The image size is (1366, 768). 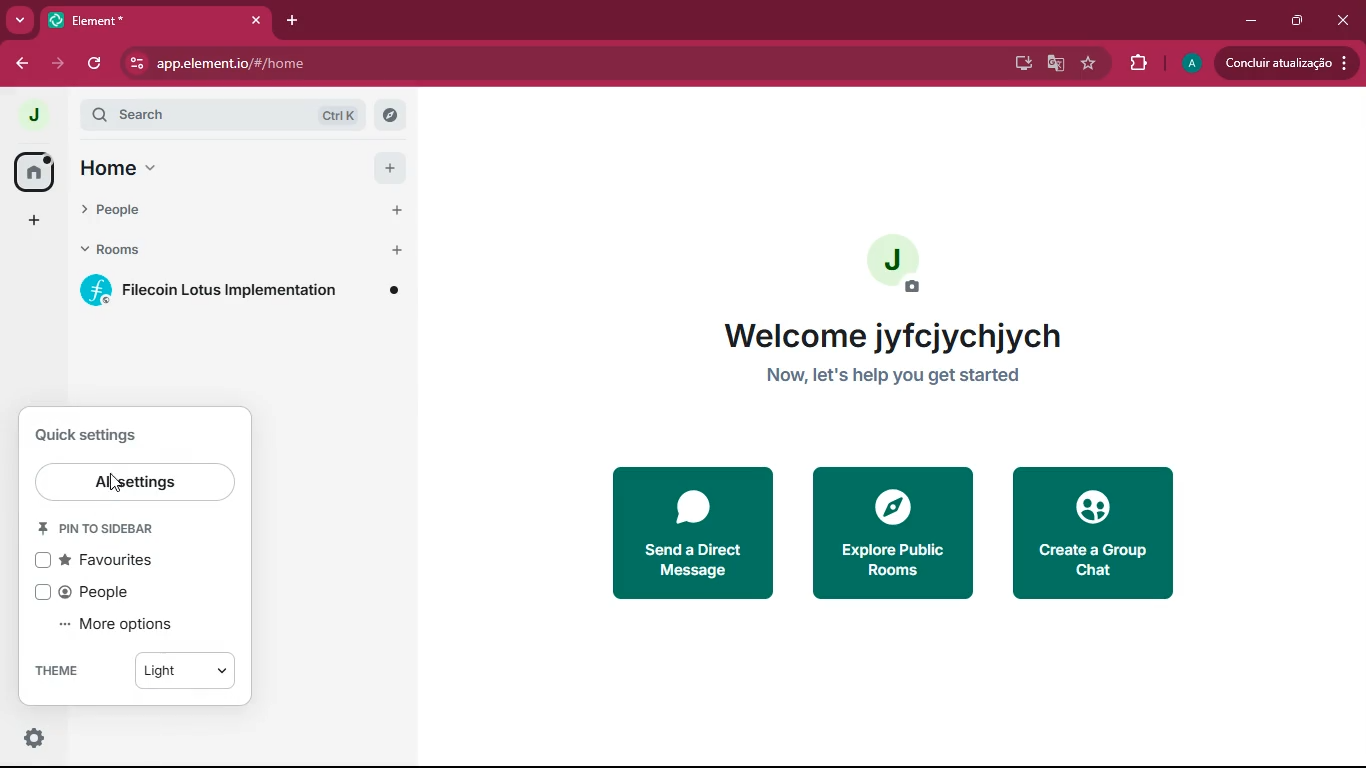 What do you see at coordinates (1054, 64) in the screenshot?
I see `google translate` at bounding box center [1054, 64].